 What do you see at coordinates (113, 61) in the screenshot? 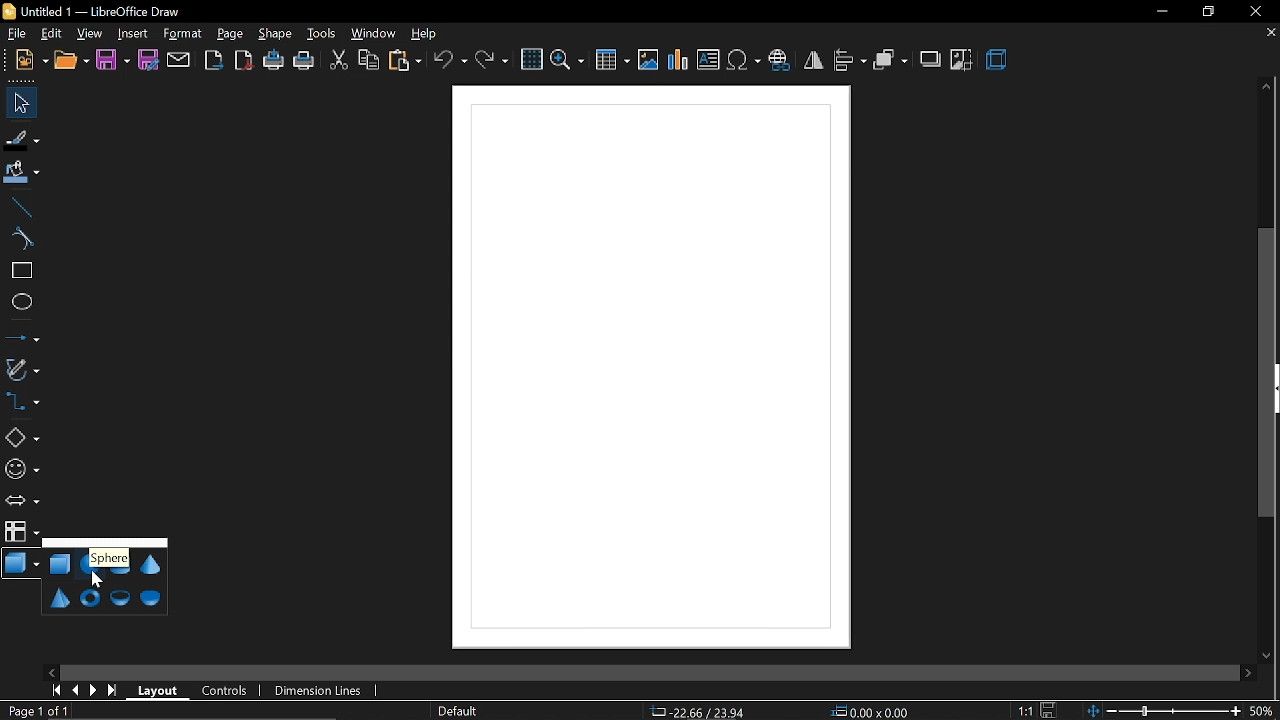
I see `save` at bounding box center [113, 61].